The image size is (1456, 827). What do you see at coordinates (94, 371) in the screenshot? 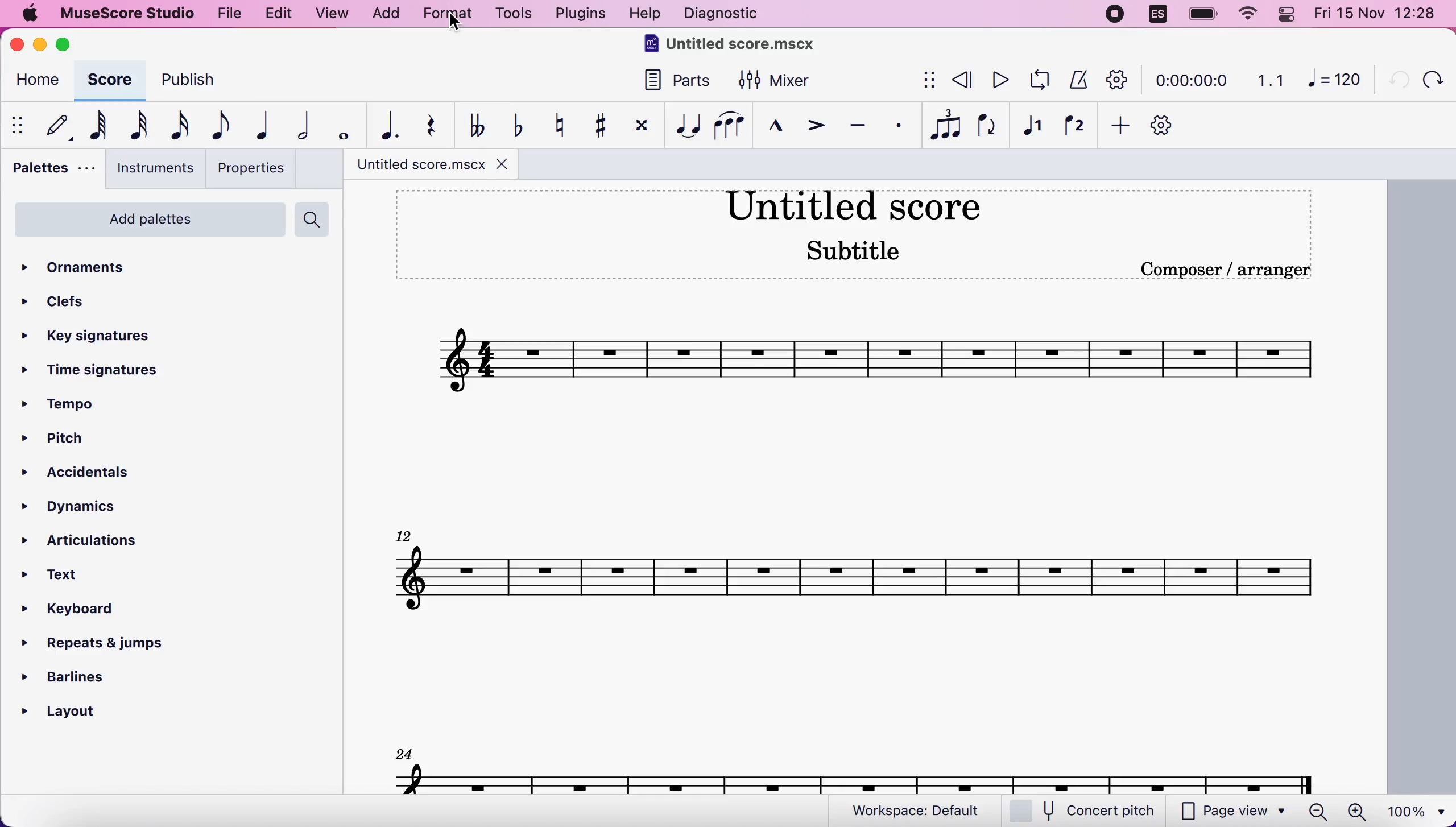
I see `time signatures` at bounding box center [94, 371].